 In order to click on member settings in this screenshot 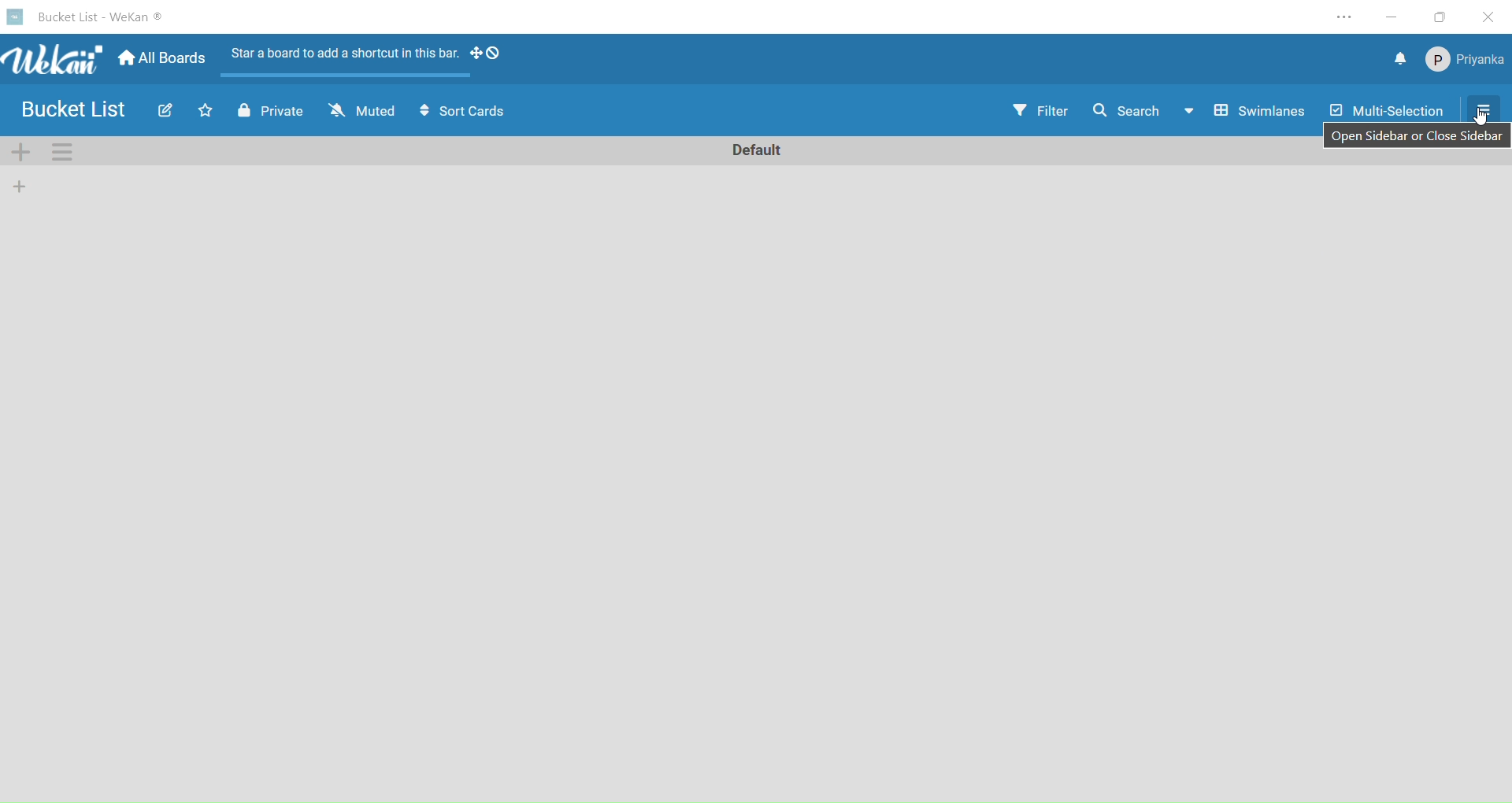, I will do `click(1466, 60)`.